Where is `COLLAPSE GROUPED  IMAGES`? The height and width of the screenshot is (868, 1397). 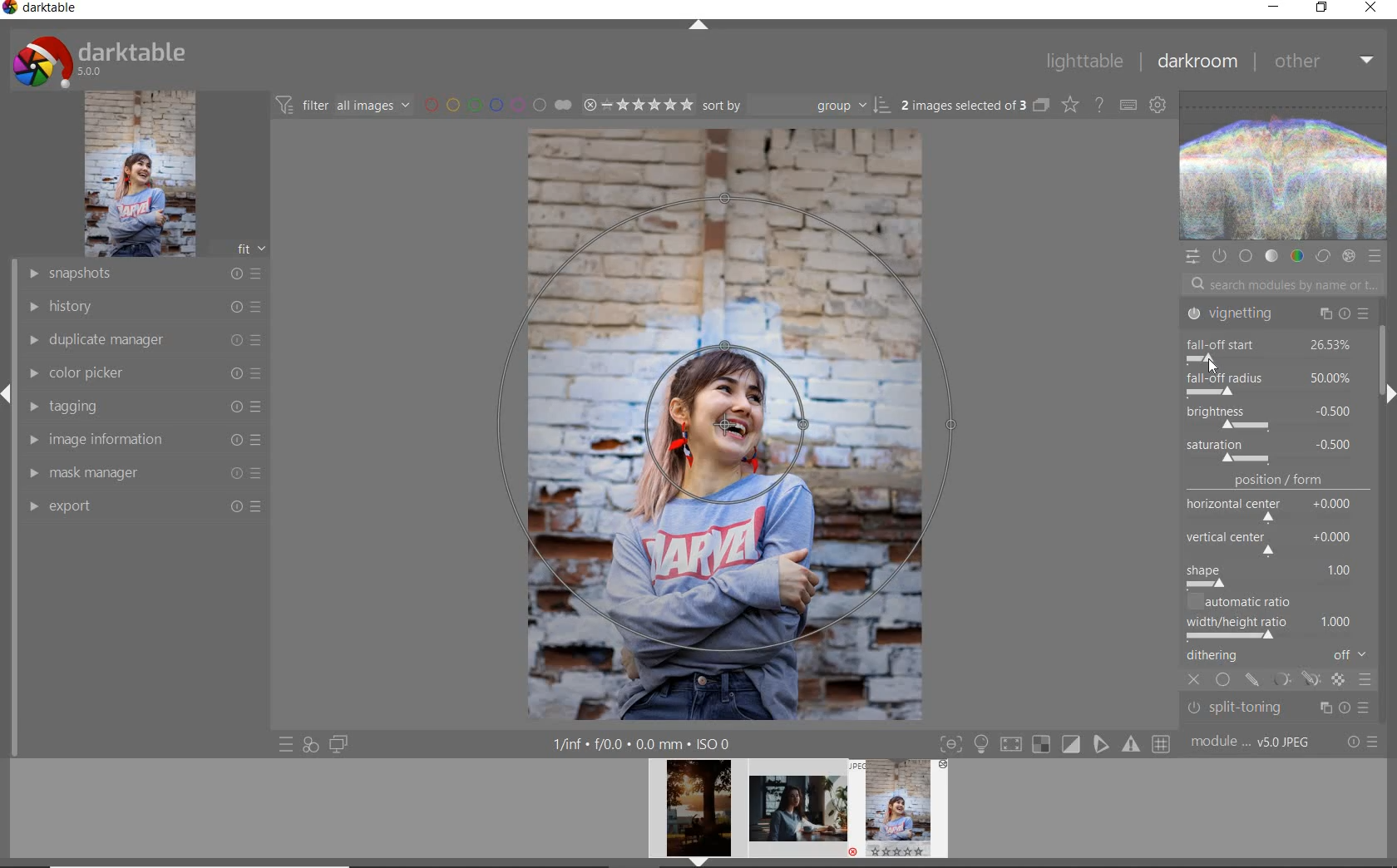
COLLAPSE GROUPED  IMAGES is located at coordinates (1041, 104).